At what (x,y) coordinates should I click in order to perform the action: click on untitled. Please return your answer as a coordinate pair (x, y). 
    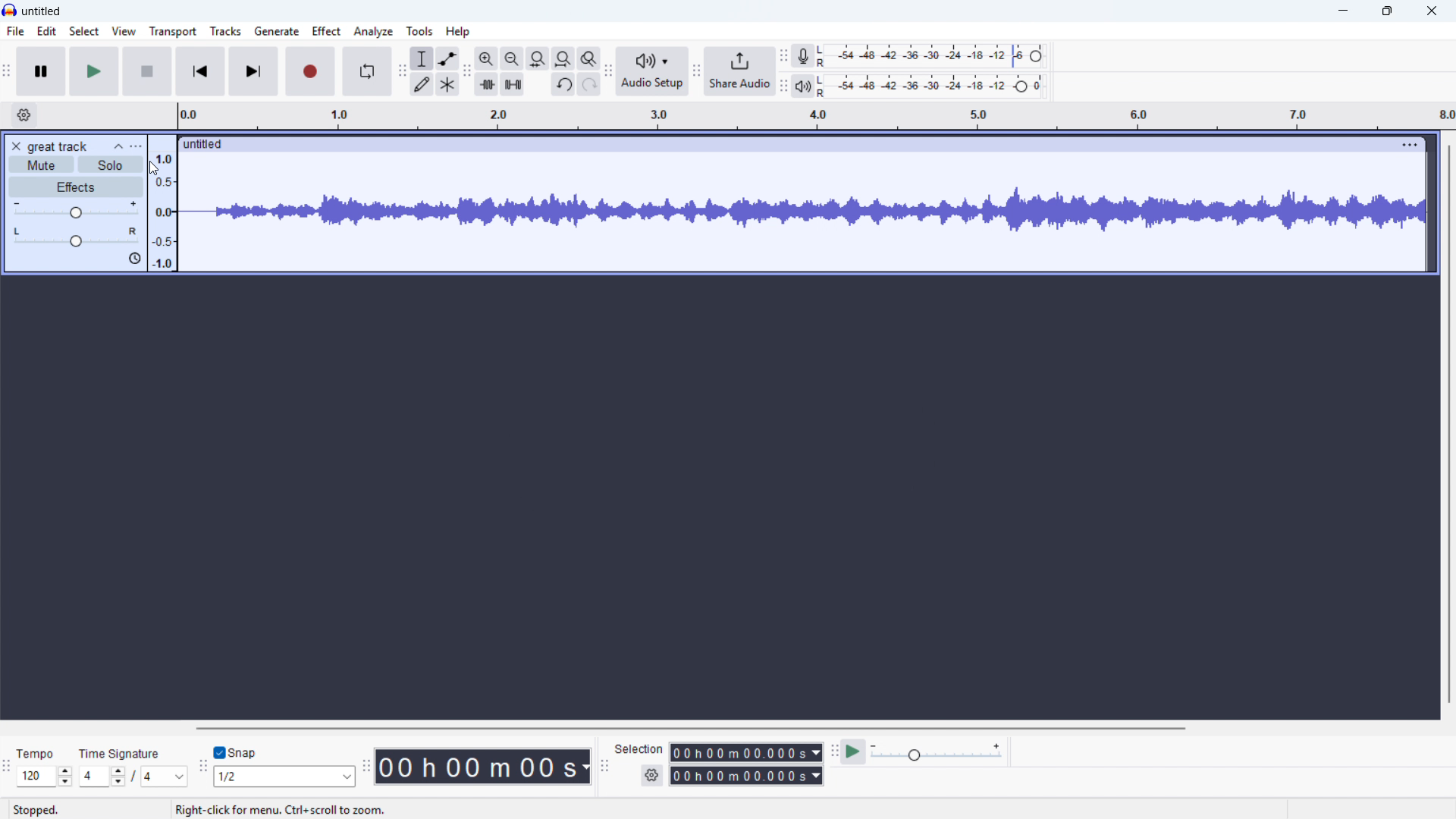
    Looking at the image, I should click on (42, 12).